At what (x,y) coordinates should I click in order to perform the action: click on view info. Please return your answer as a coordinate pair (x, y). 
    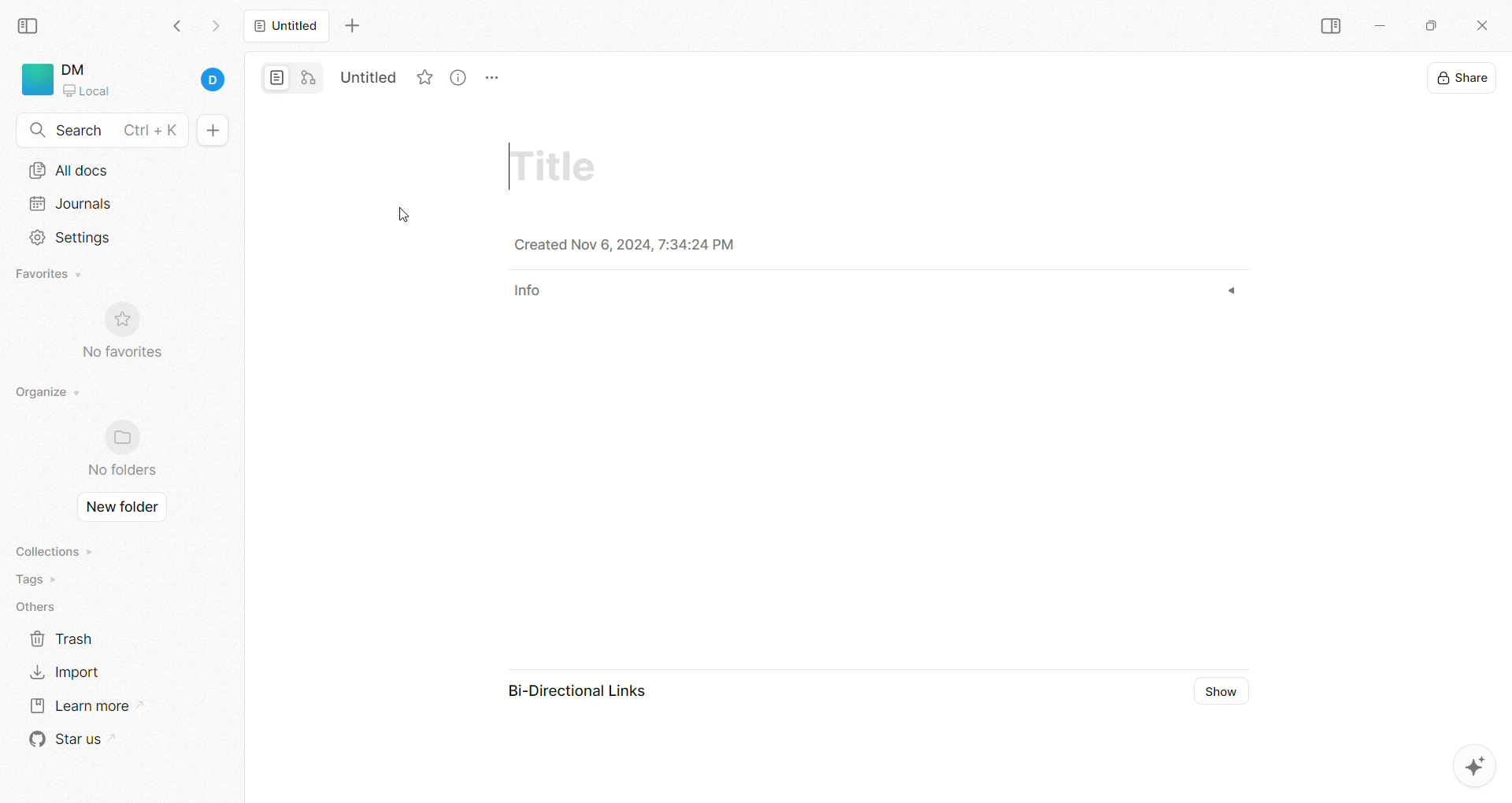
    Looking at the image, I should click on (461, 77).